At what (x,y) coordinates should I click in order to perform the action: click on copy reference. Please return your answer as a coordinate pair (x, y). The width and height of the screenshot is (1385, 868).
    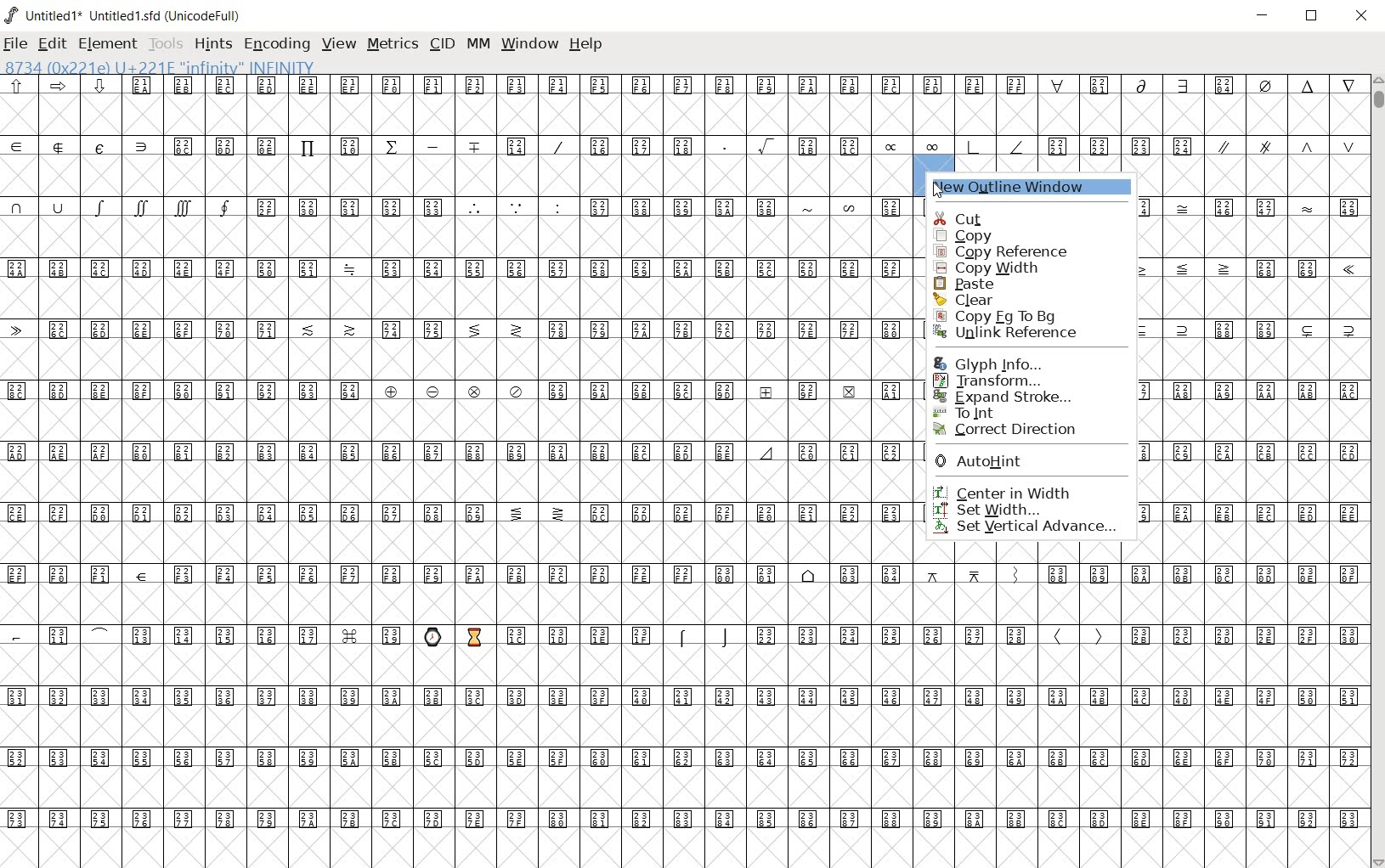
    Looking at the image, I should click on (998, 251).